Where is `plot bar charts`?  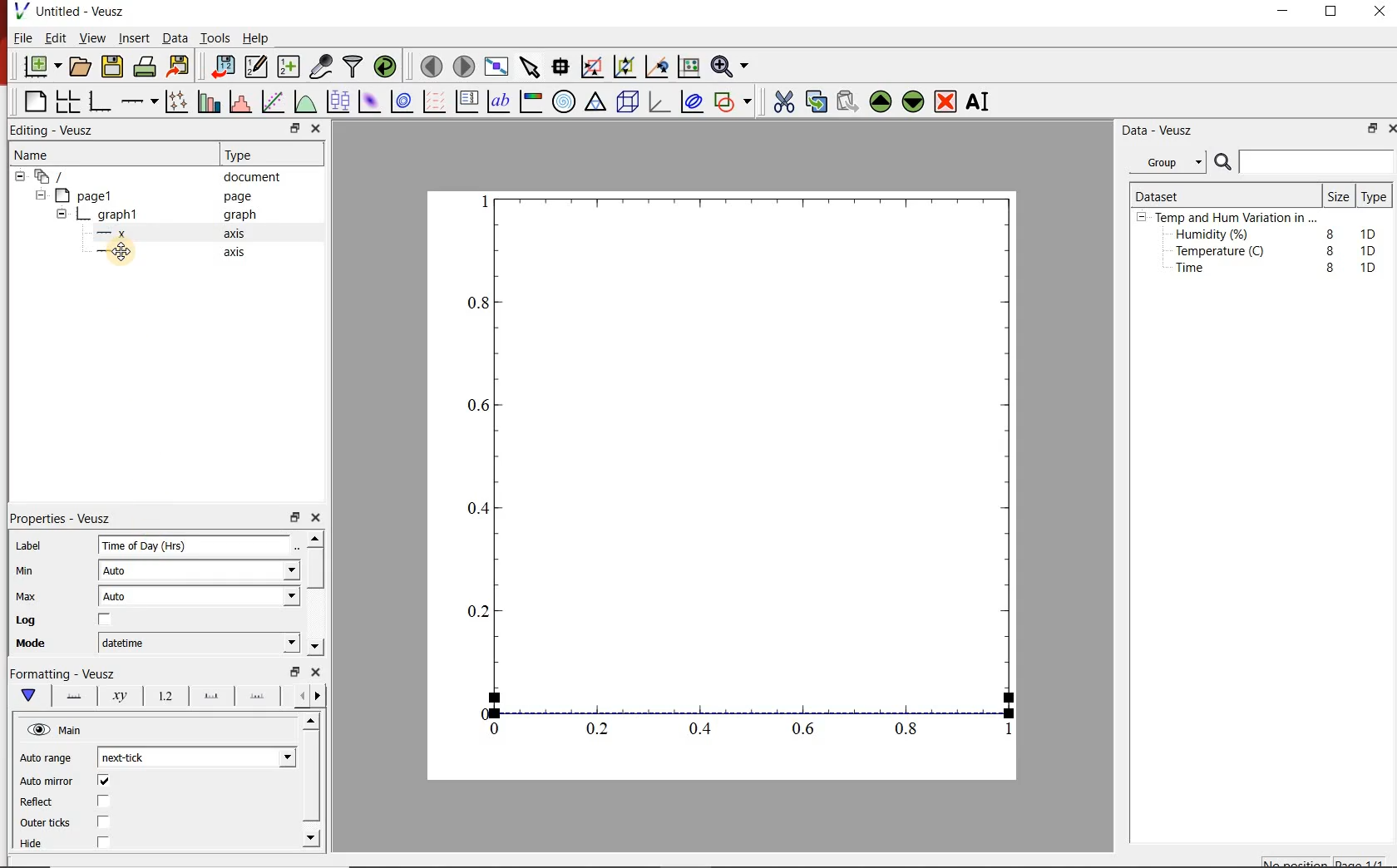 plot bar charts is located at coordinates (210, 99).